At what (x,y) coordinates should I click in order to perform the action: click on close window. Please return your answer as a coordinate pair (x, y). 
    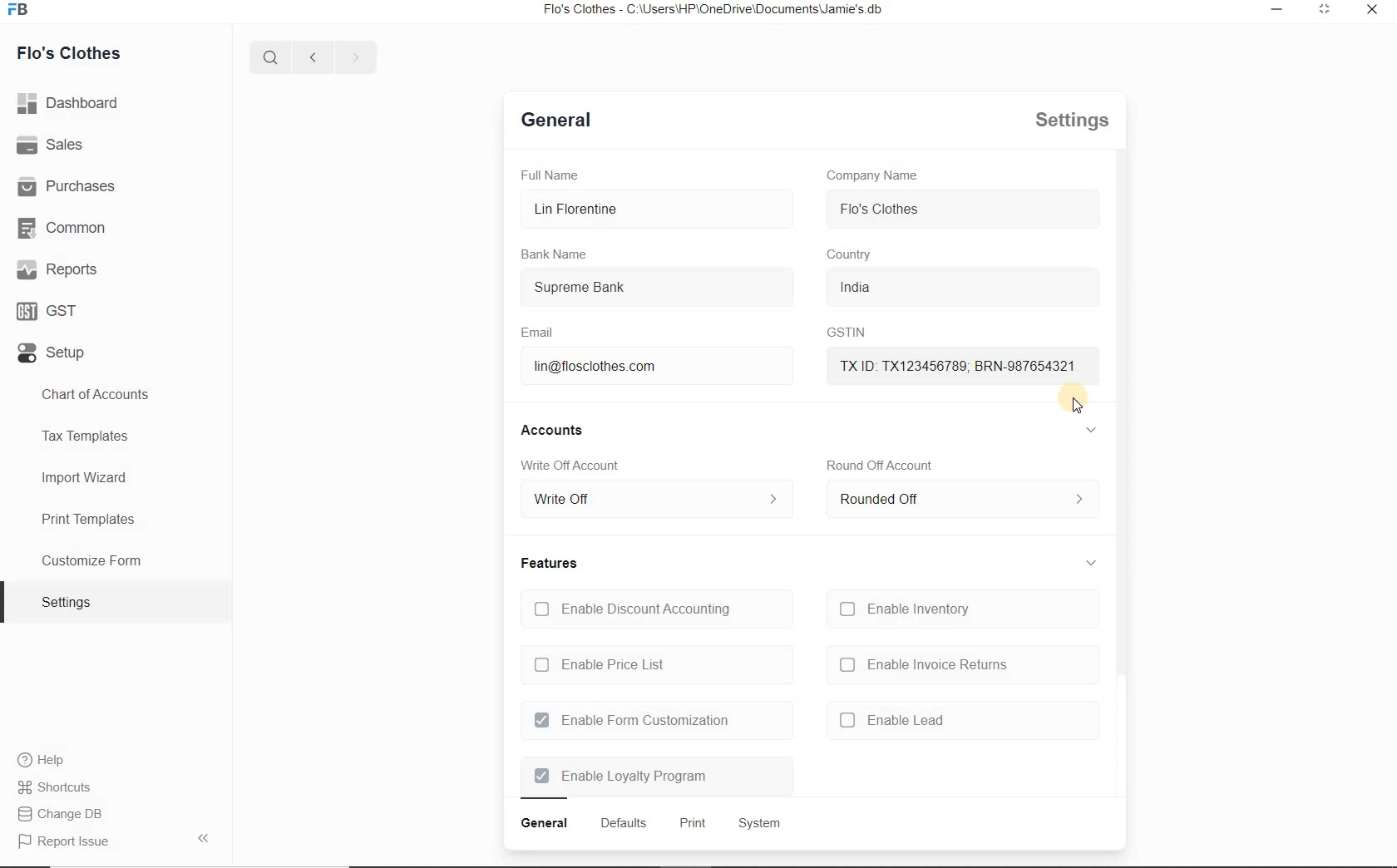
    Looking at the image, I should click on (1370, 10).